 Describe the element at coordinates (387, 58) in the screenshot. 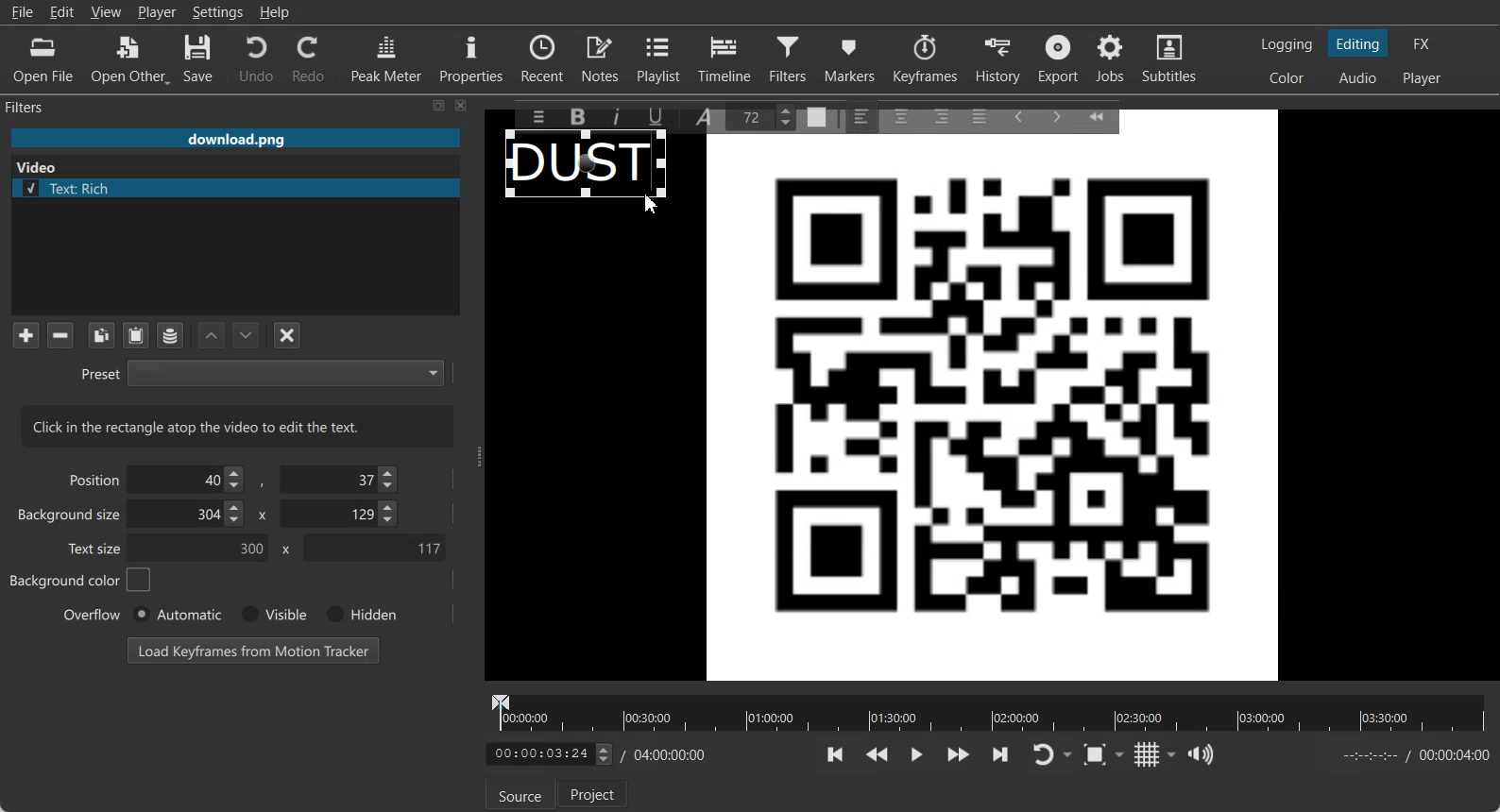

I see `Peak Meter` at that location.